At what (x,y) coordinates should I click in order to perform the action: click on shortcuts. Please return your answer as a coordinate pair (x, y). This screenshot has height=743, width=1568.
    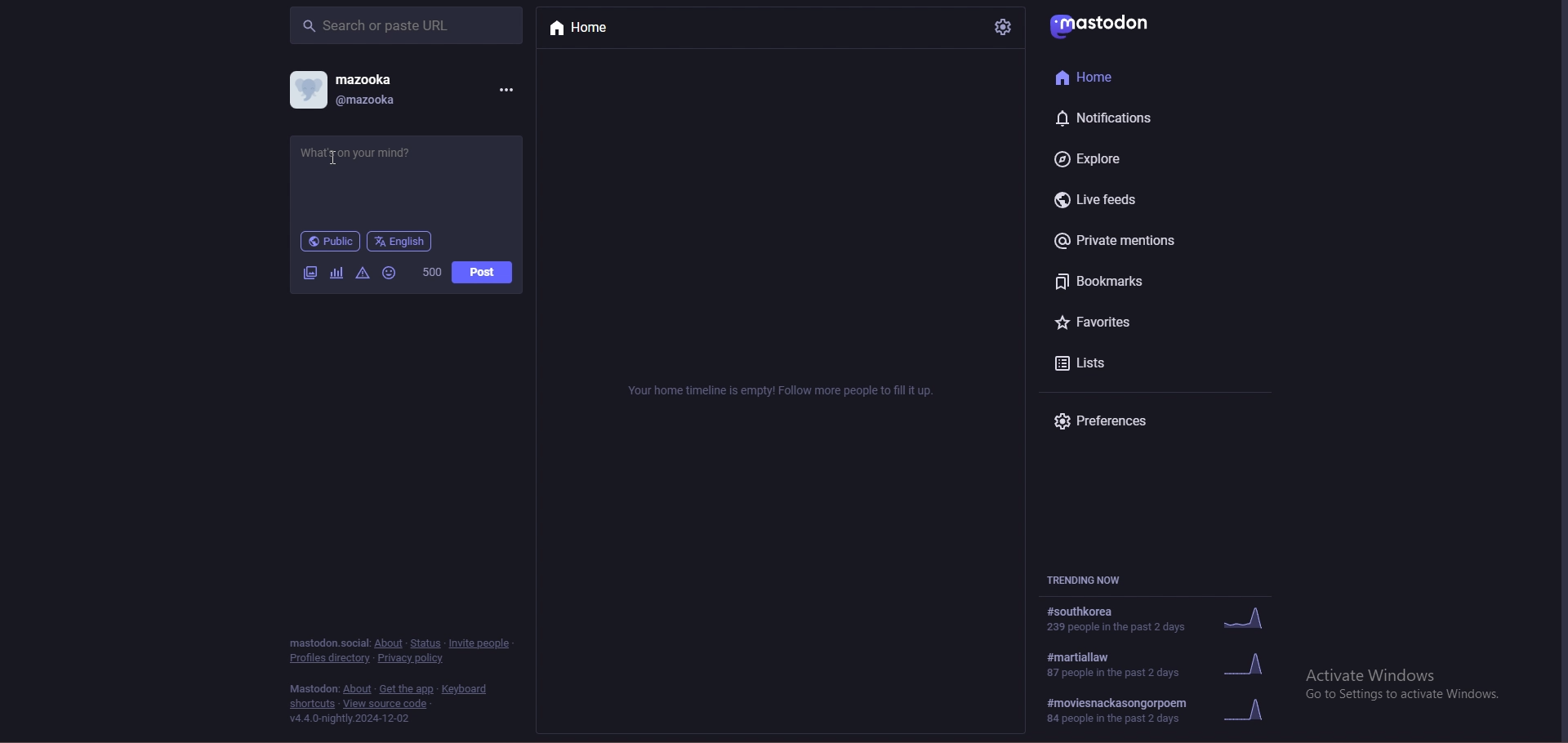
    Looking at the image, I should click on (313, 704).